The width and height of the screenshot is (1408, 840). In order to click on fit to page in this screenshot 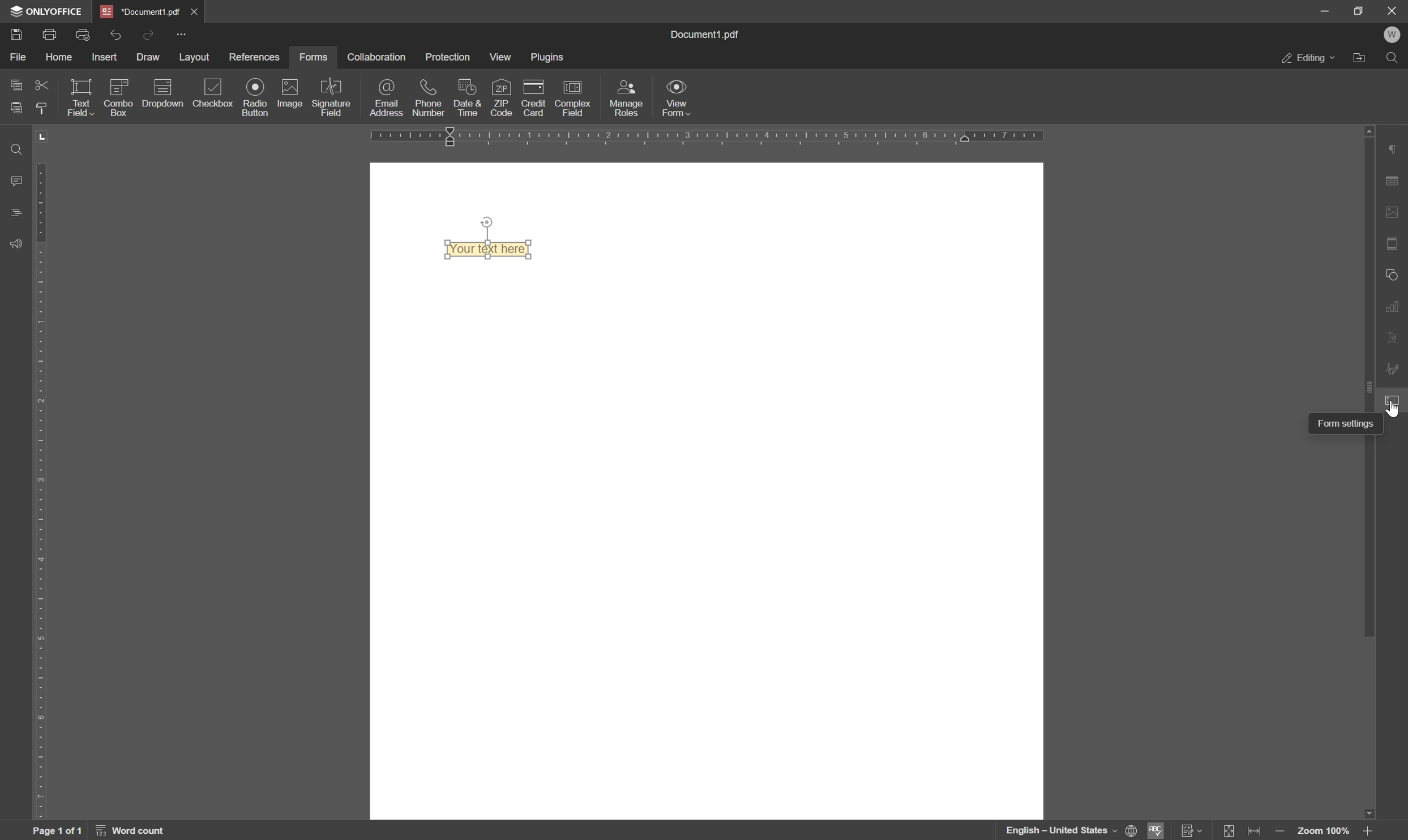, I will do `click(1230, 832)`.